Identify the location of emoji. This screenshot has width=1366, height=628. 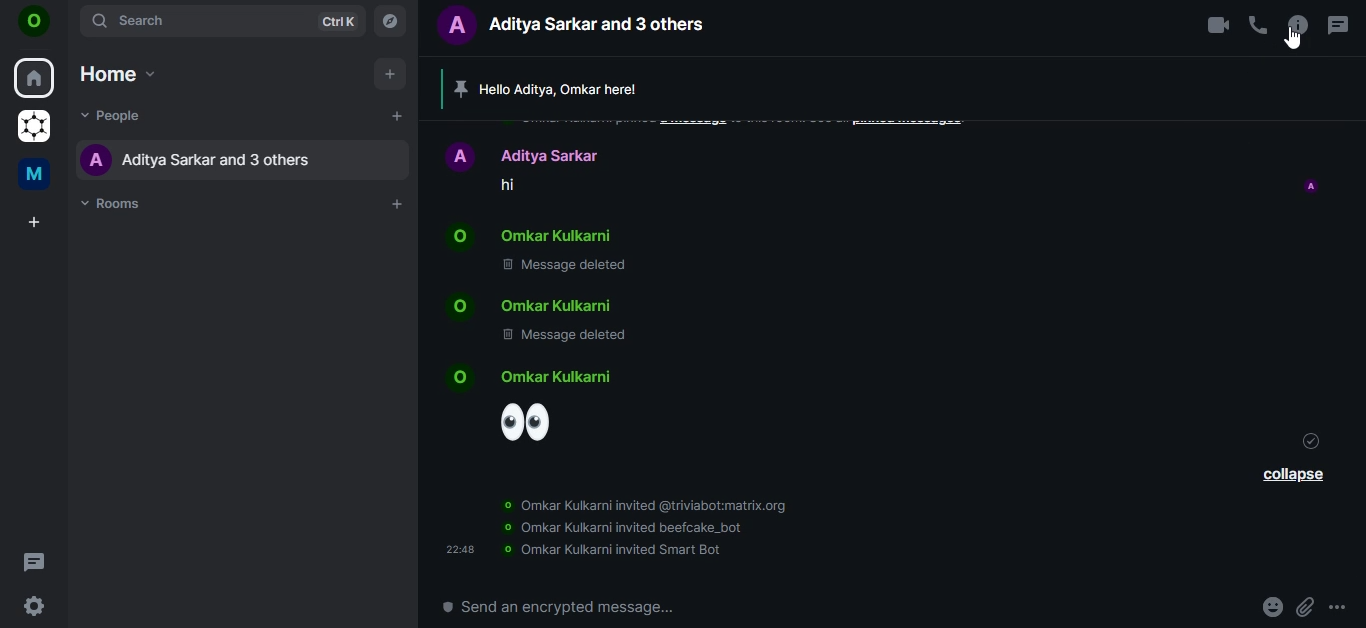
(1268, 607).